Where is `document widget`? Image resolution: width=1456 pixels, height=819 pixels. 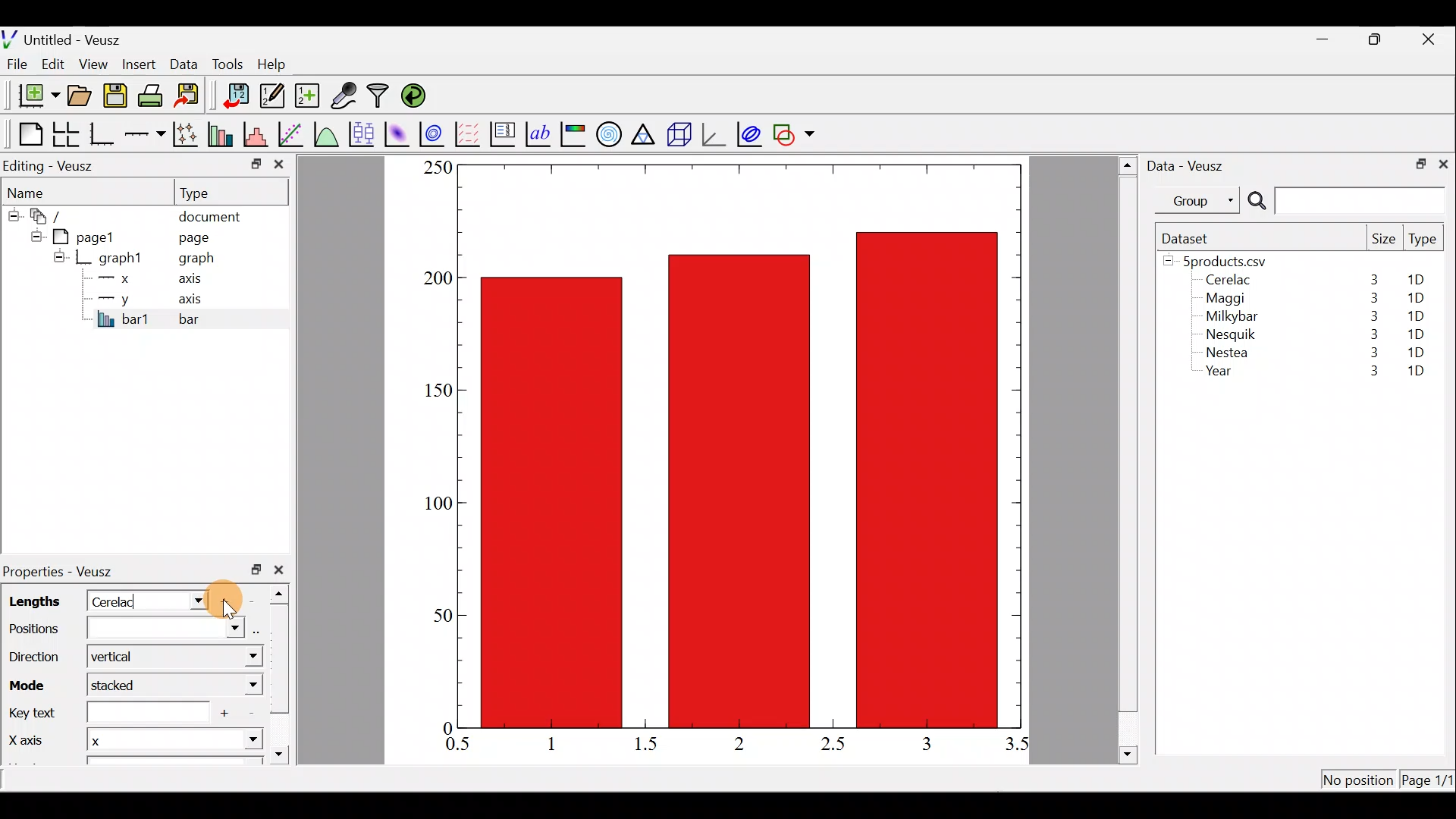
document widget is located at coordinates (54, 214).